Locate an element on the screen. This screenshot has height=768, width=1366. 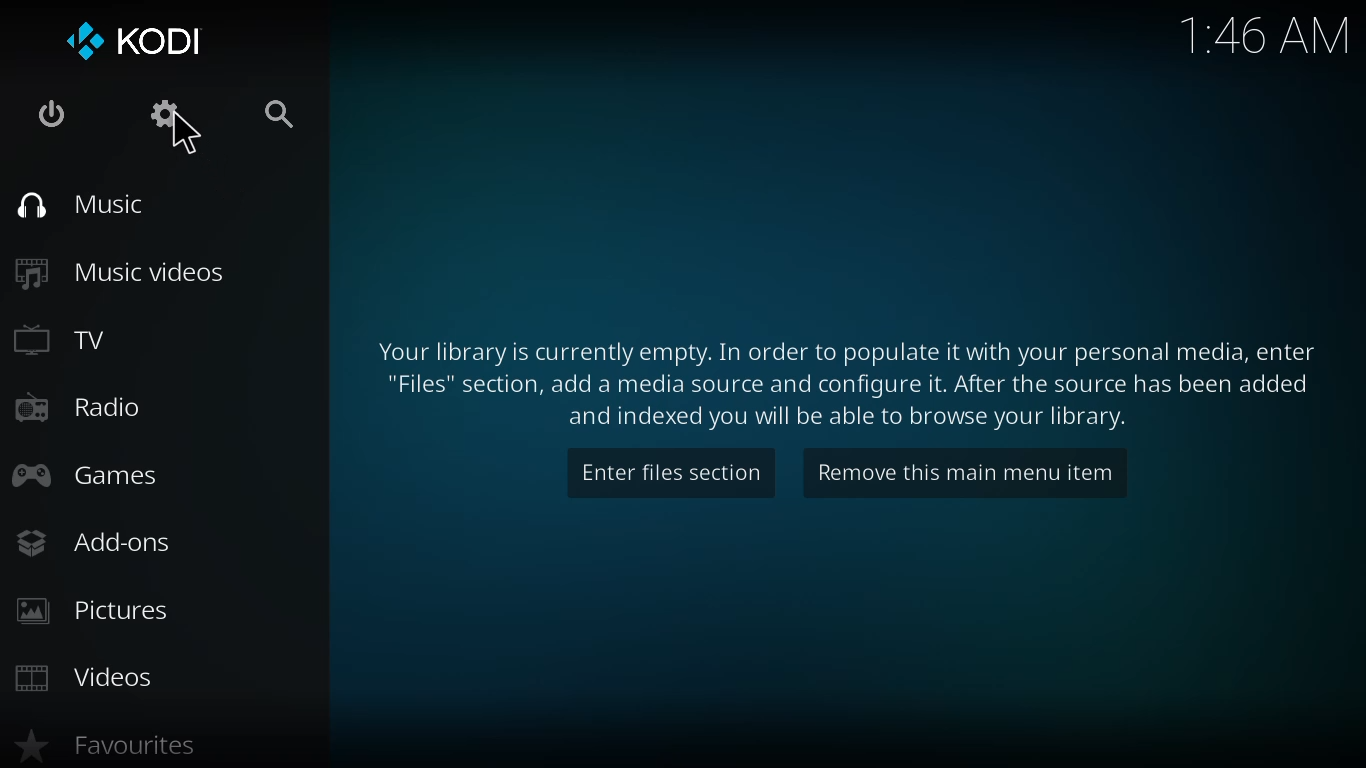
search is located at coordinates (281, 115).